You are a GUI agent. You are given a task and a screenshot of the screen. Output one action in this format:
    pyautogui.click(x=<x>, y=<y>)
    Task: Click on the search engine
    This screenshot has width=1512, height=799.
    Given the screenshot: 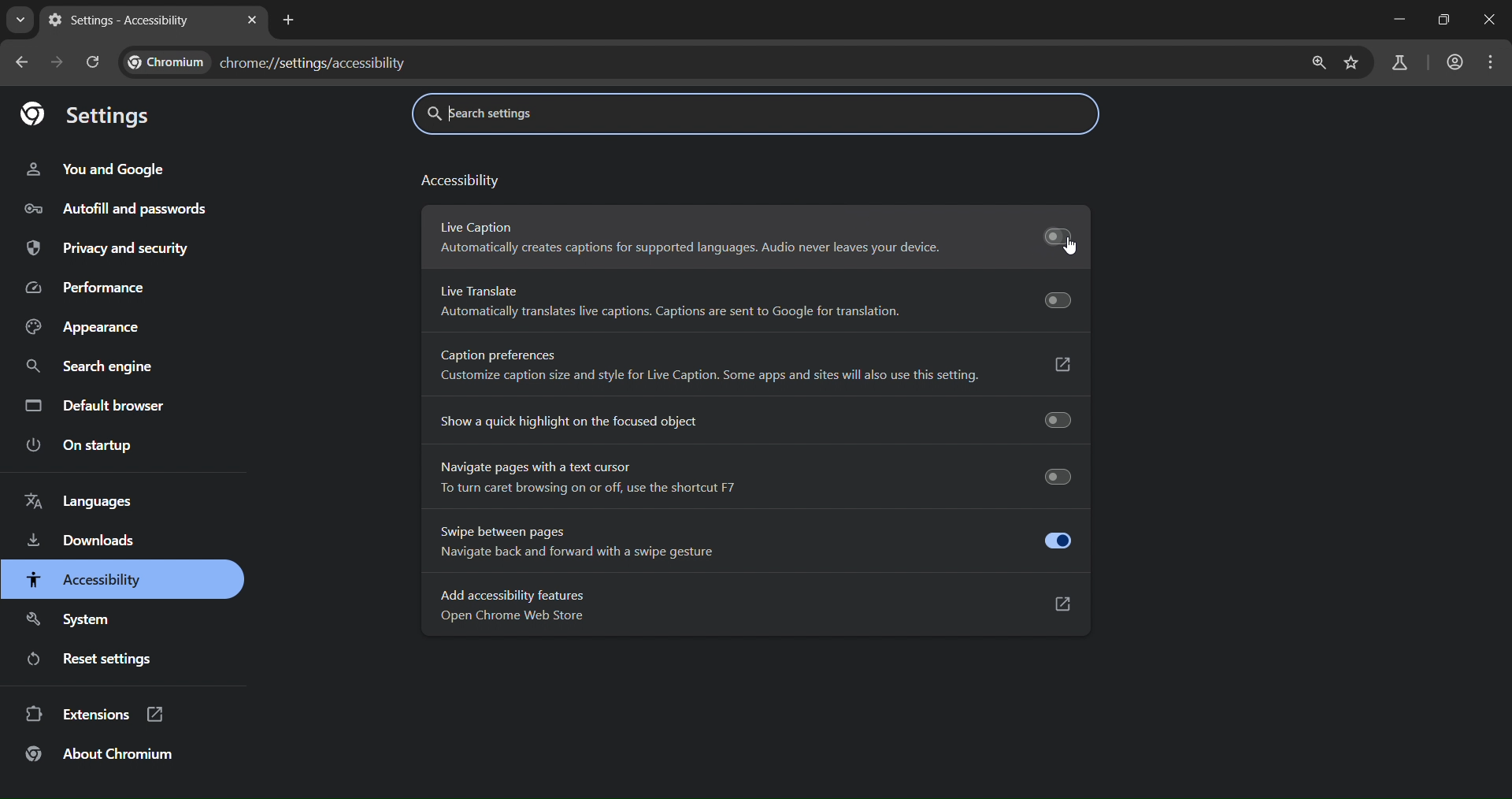 What is the action you would take?
    pyautogui.click(x=96, y=367)
    